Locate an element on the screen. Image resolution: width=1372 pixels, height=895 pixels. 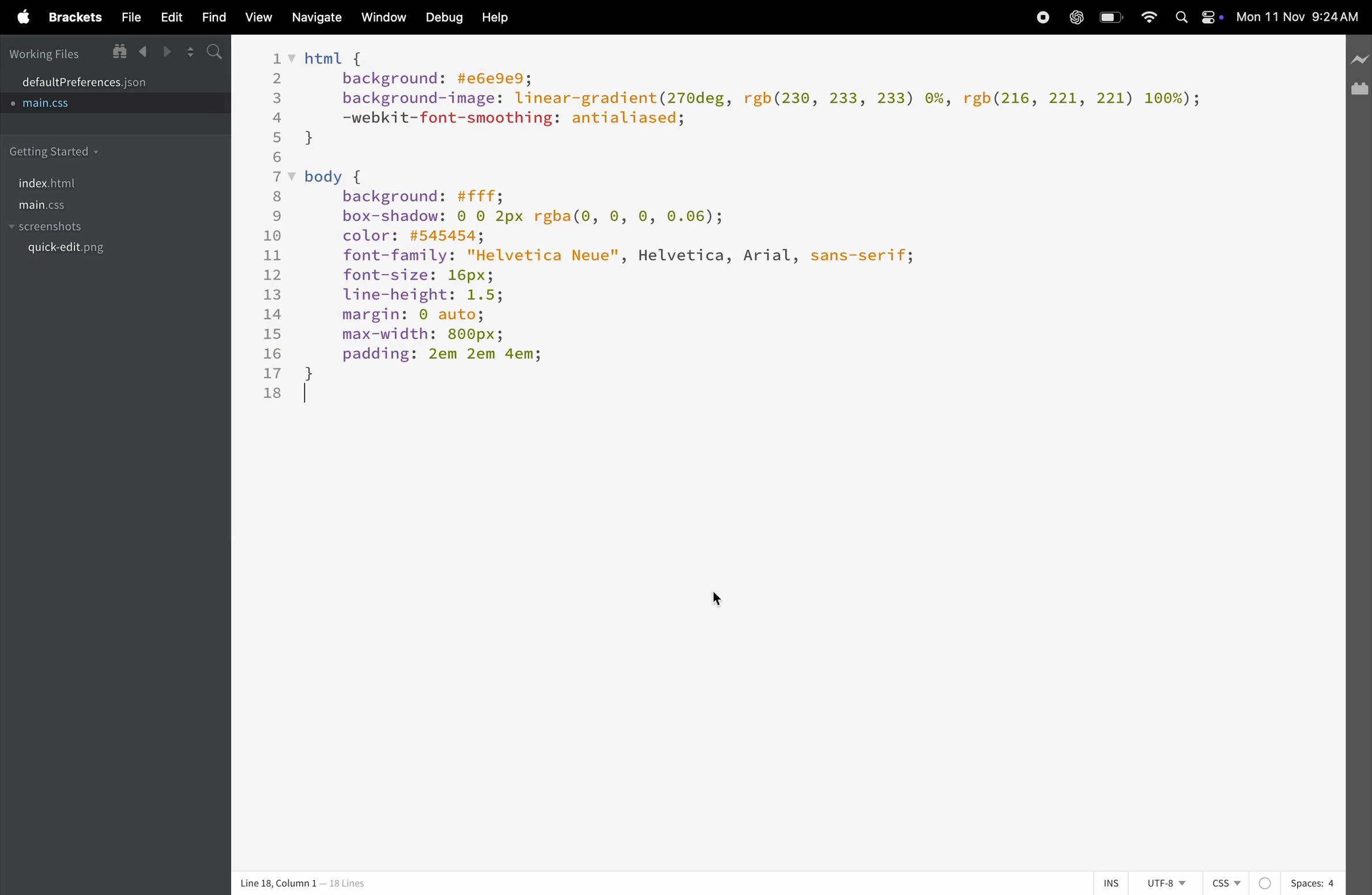
ins is located at coordinates (1106, 882).